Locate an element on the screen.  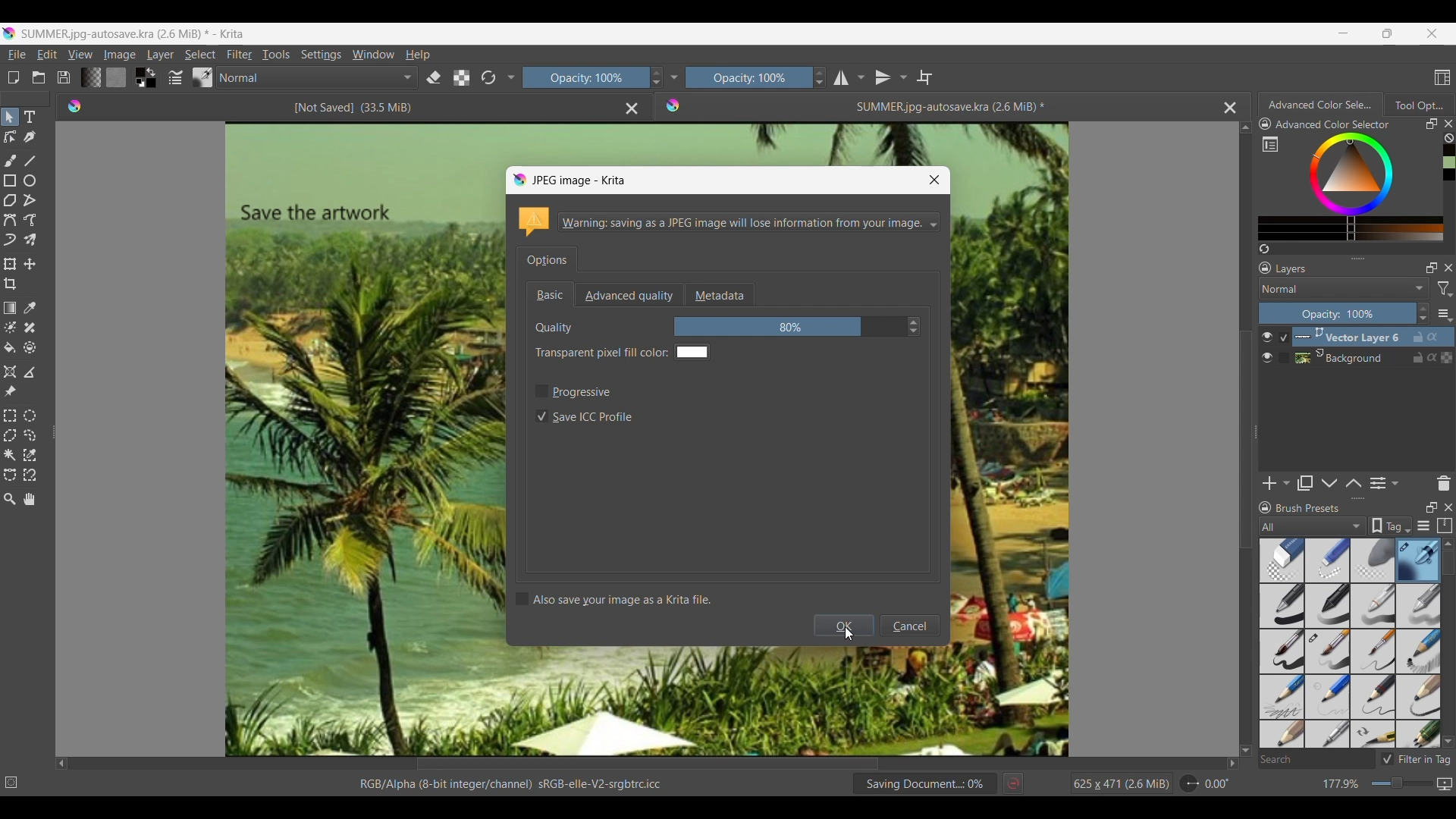
View is located at coordinates (80, 55).